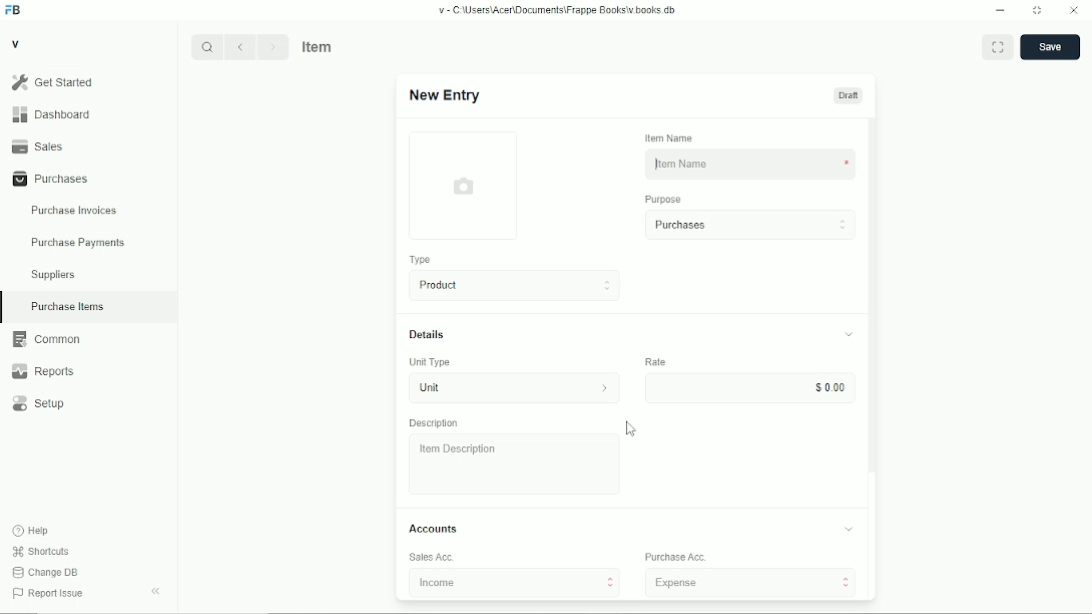  What do you see at coordinates (42, 371) in the screenshot?
I see `reports` at bounding box center [42, 371].